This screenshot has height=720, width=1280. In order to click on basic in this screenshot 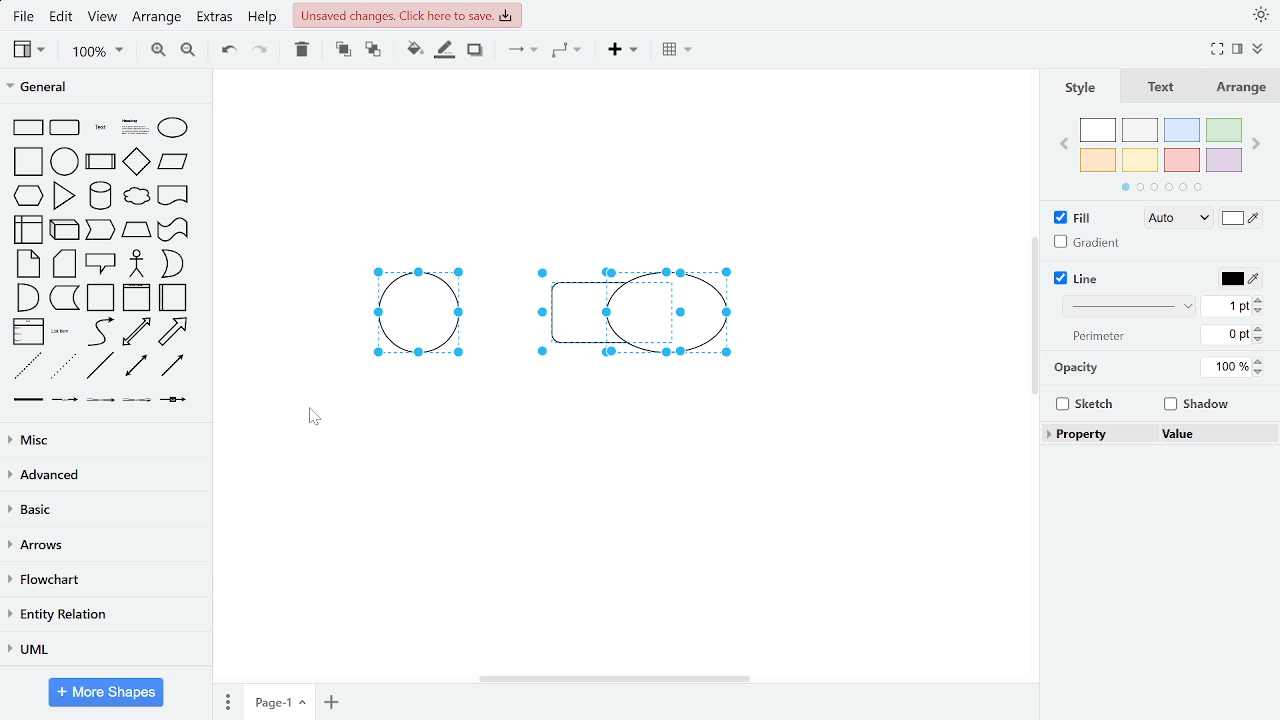, I will do `click(101, 511)`.